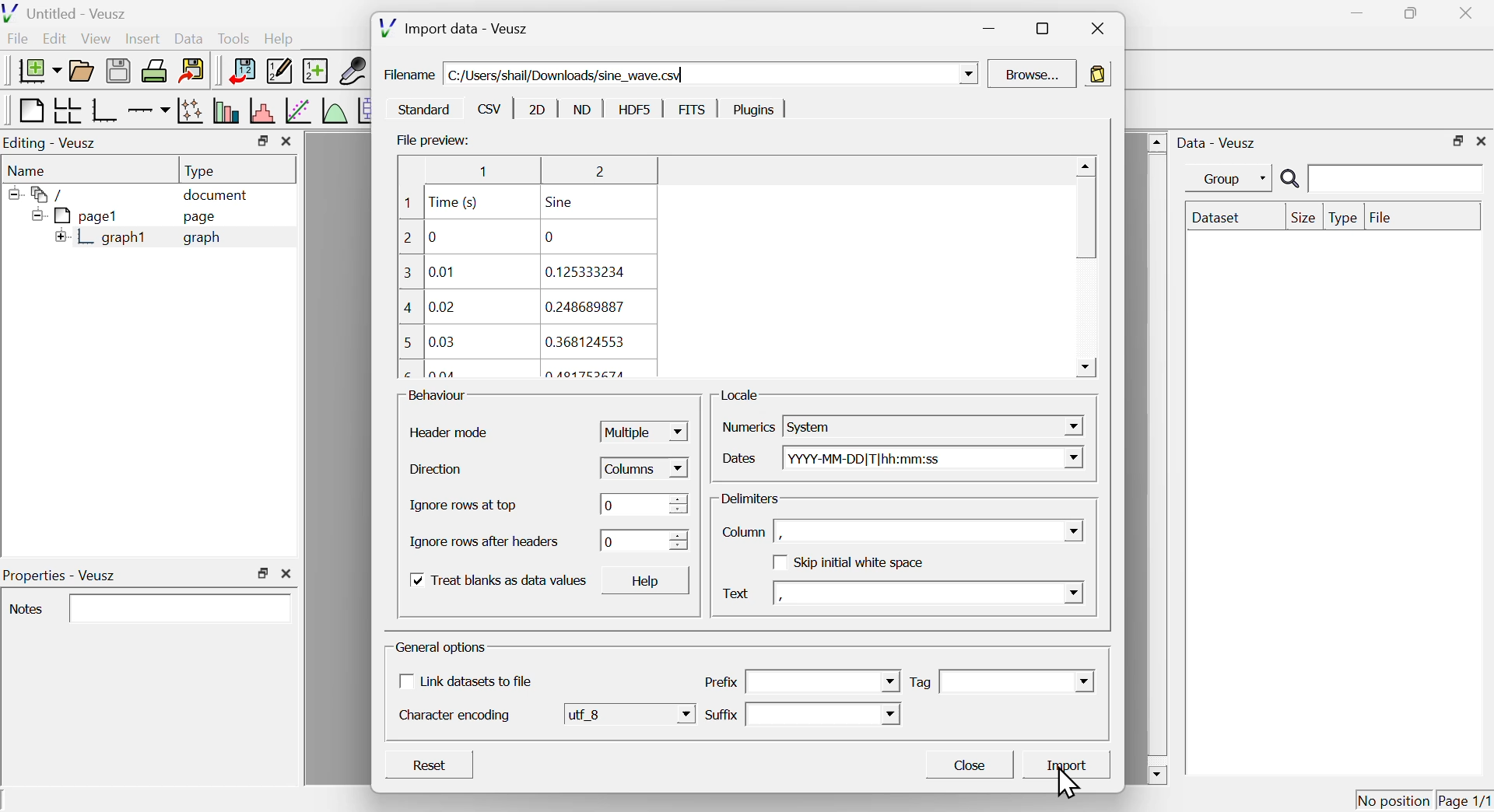  What do you see at coordinates (422, 110) in the screenshot?
I see `Standard` at bounding box center [422, 110].